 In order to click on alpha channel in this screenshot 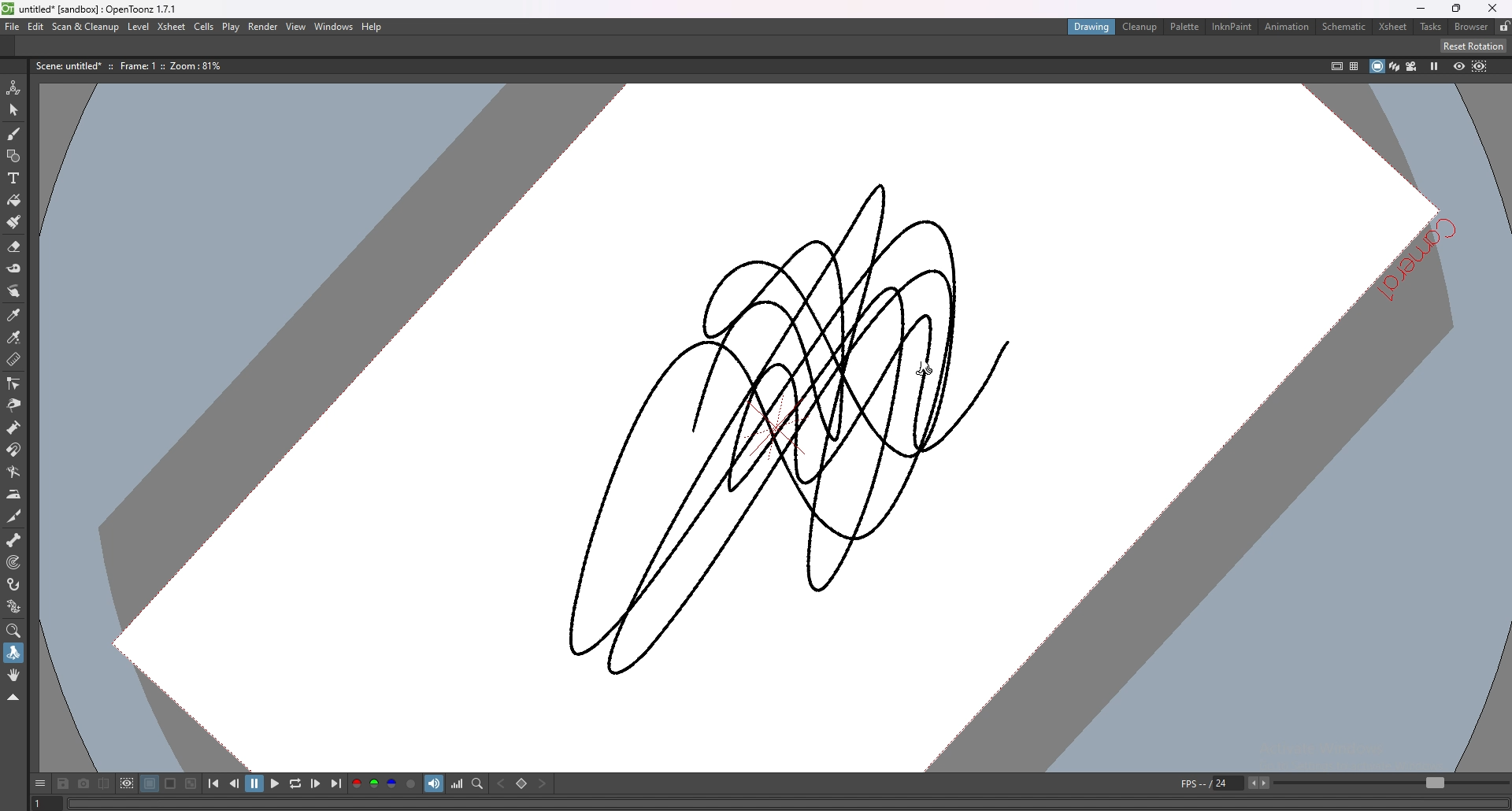, I will do `click(411, 784)`.